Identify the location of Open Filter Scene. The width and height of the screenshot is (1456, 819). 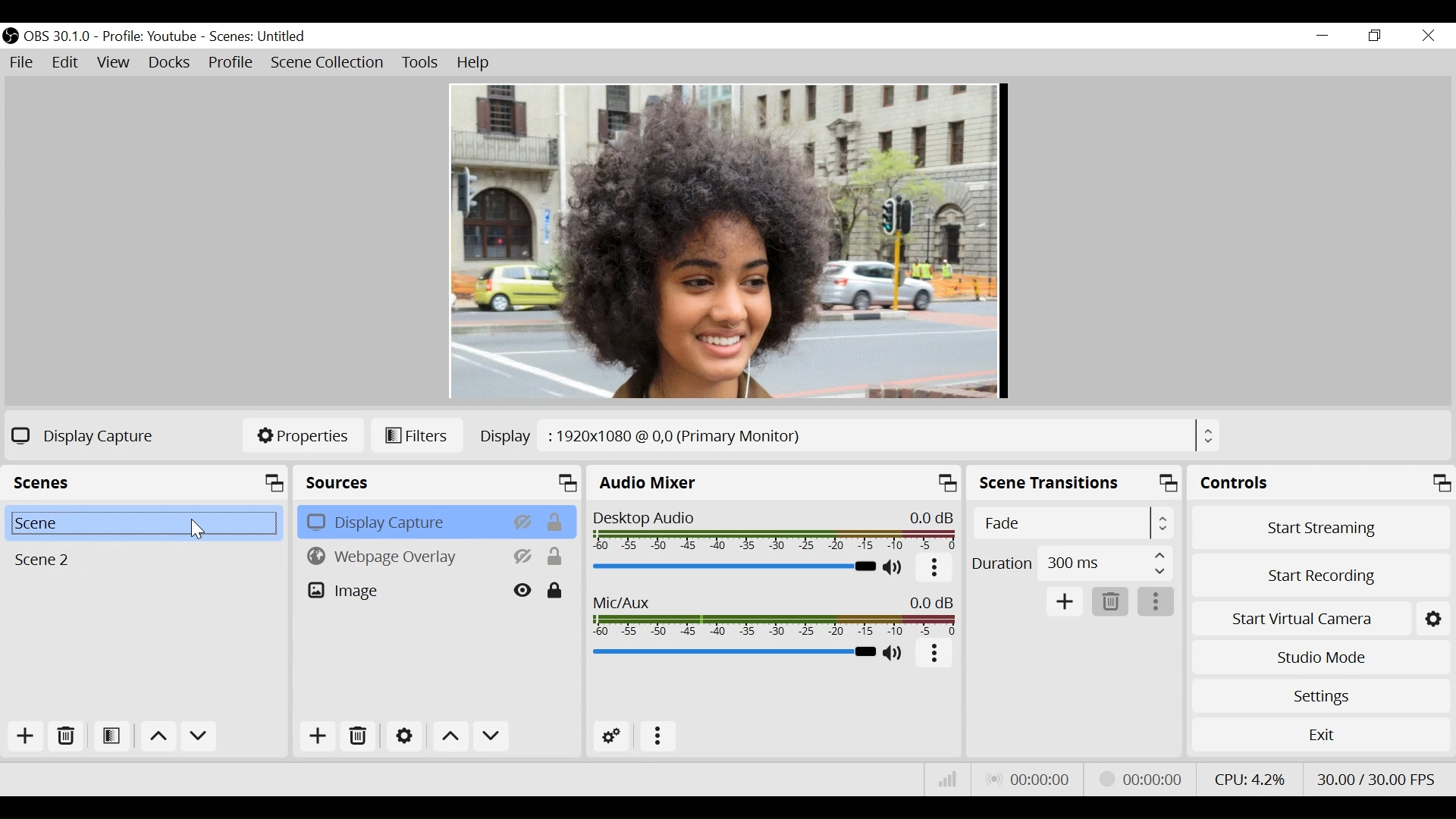
(113, 736).